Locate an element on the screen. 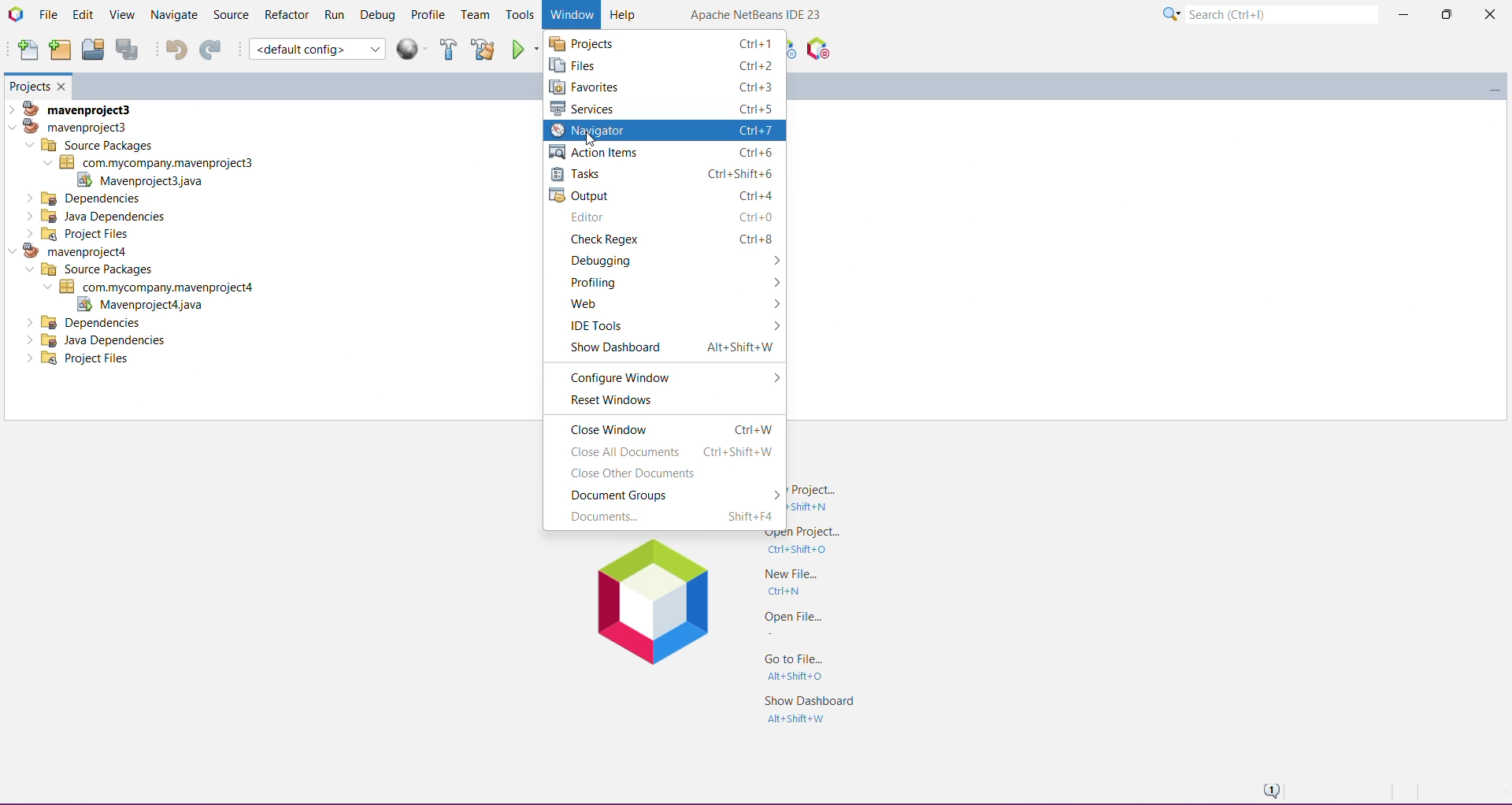 Image resolution: width=1512 pixels, height=805 pixels. Services is located at coordinates (663, 108).